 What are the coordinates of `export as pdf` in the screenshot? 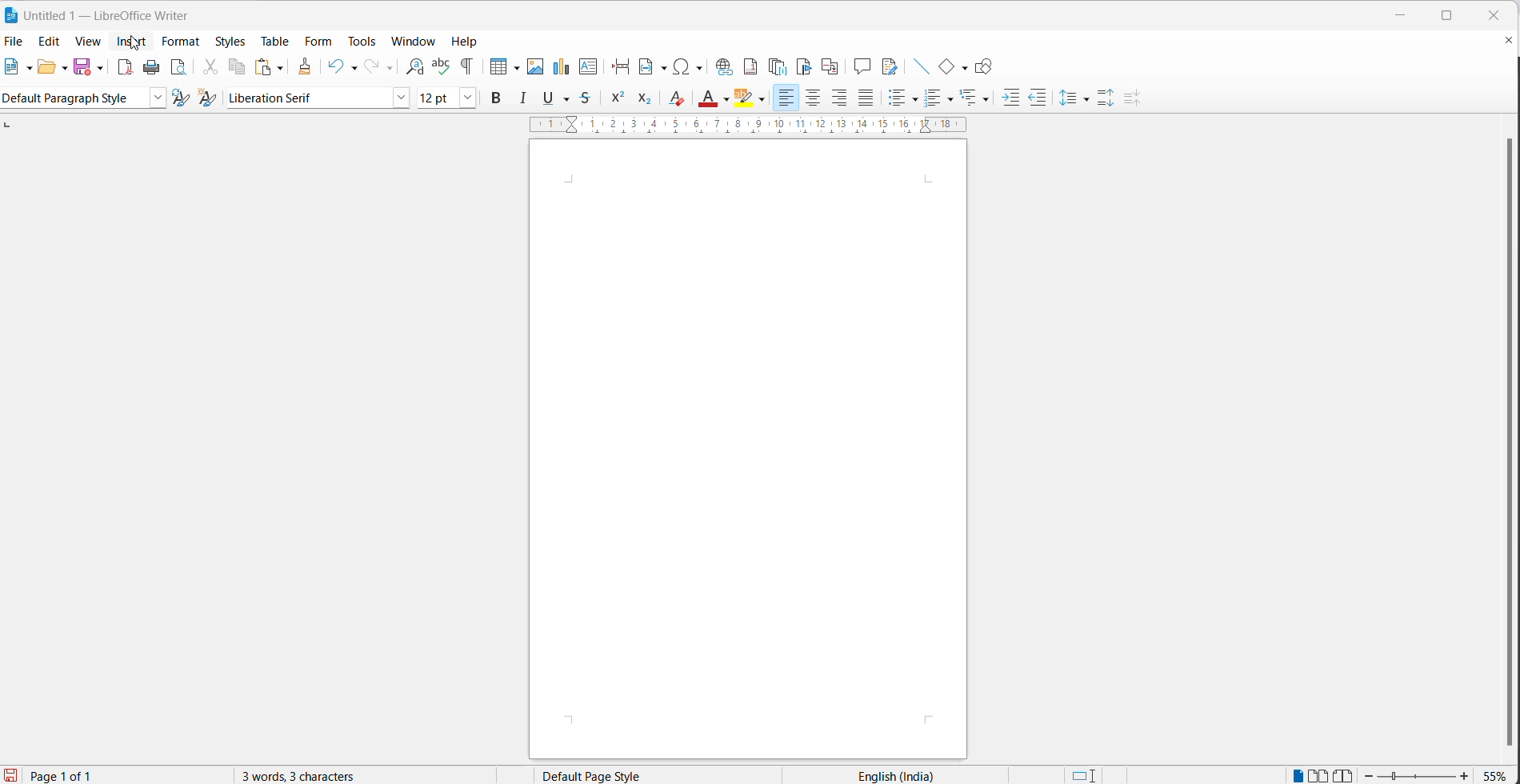 It's located at (125, 68).